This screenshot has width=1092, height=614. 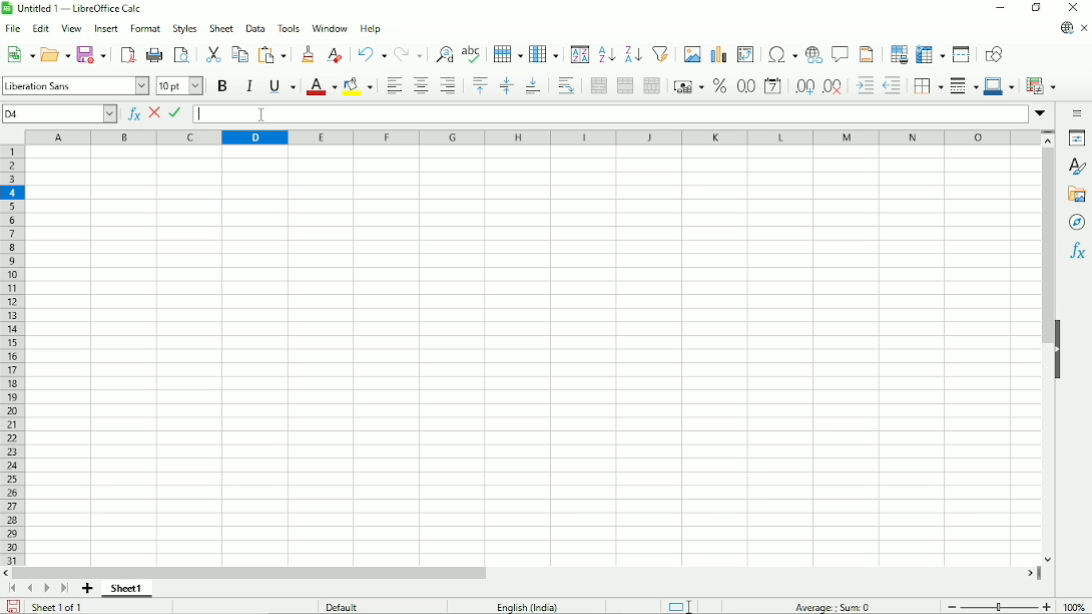 What do you see at coordinates (995, 53) in the screenshot?
I see `Show draw functions` at bounding box center [995, 53].